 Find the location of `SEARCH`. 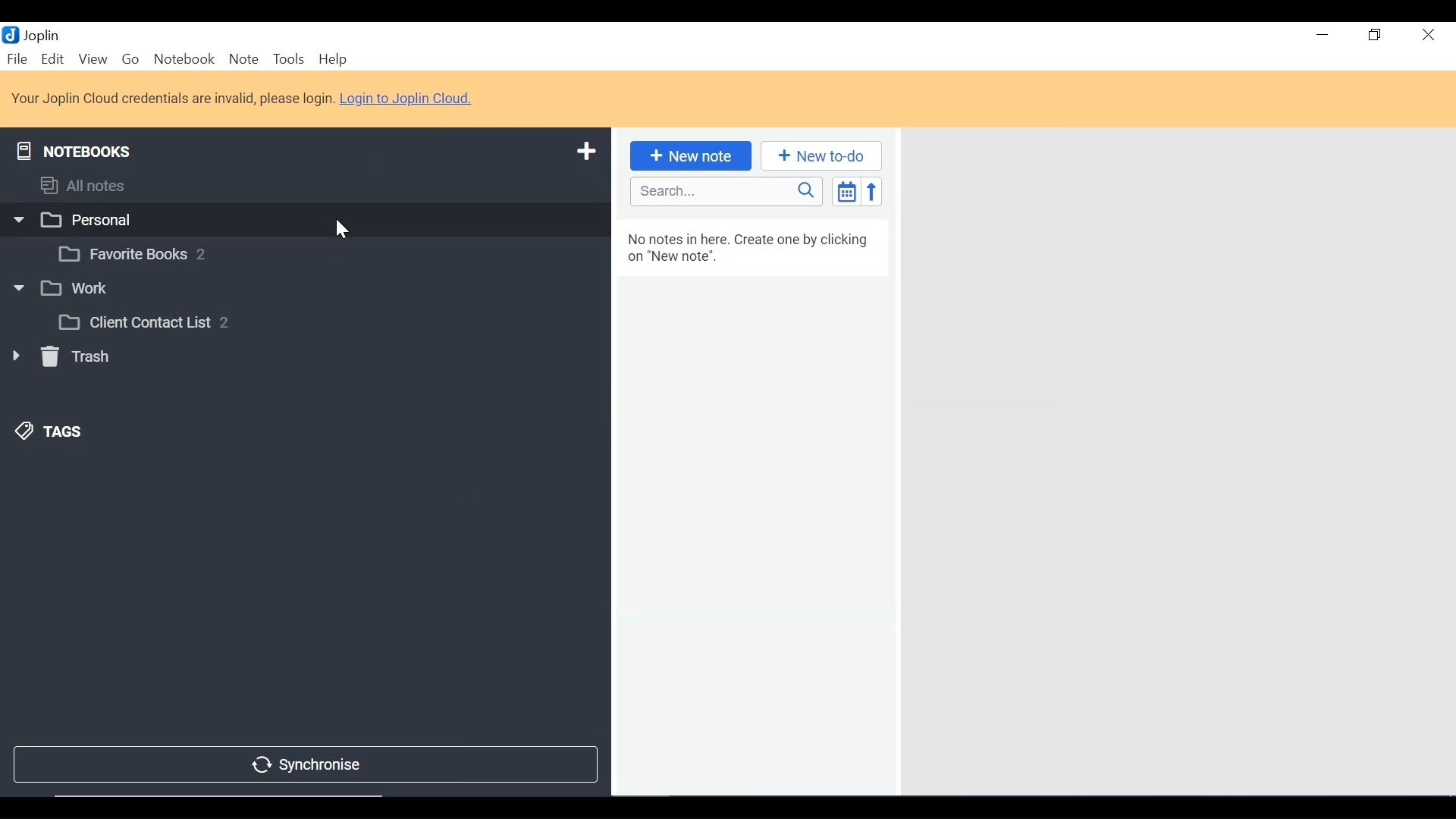

SEARCH is located at coordinates (727, 191).